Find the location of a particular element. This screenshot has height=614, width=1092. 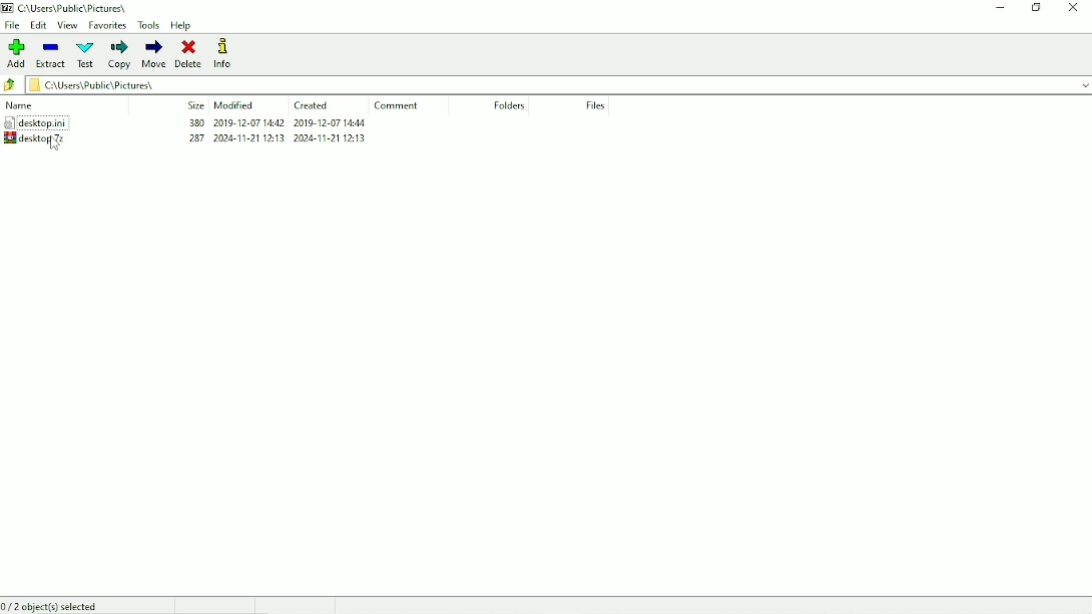

Minimize is located at coordinates (998, 9).